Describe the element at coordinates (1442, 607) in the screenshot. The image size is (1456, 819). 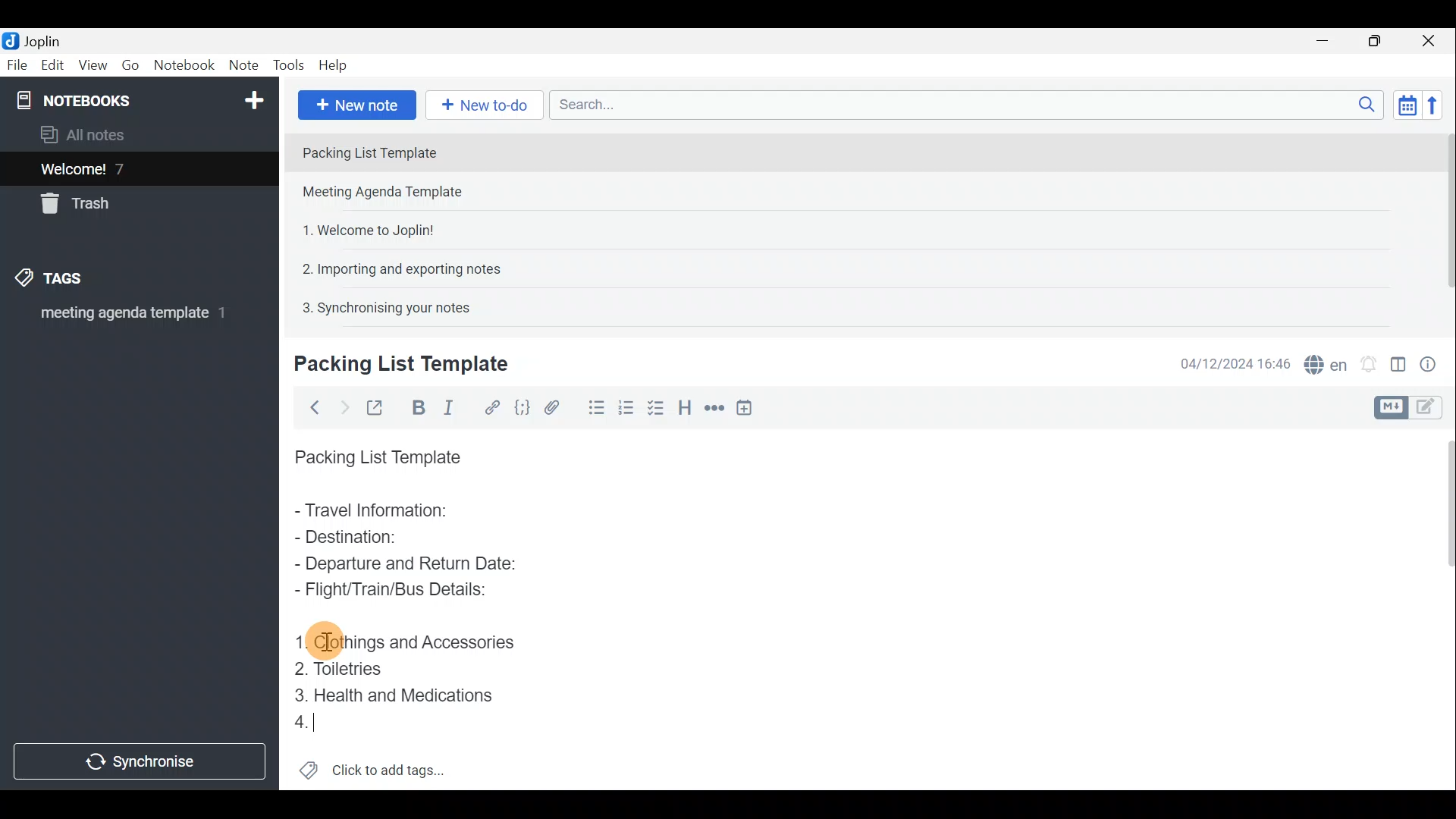
I see `Scroll bar` at that location.